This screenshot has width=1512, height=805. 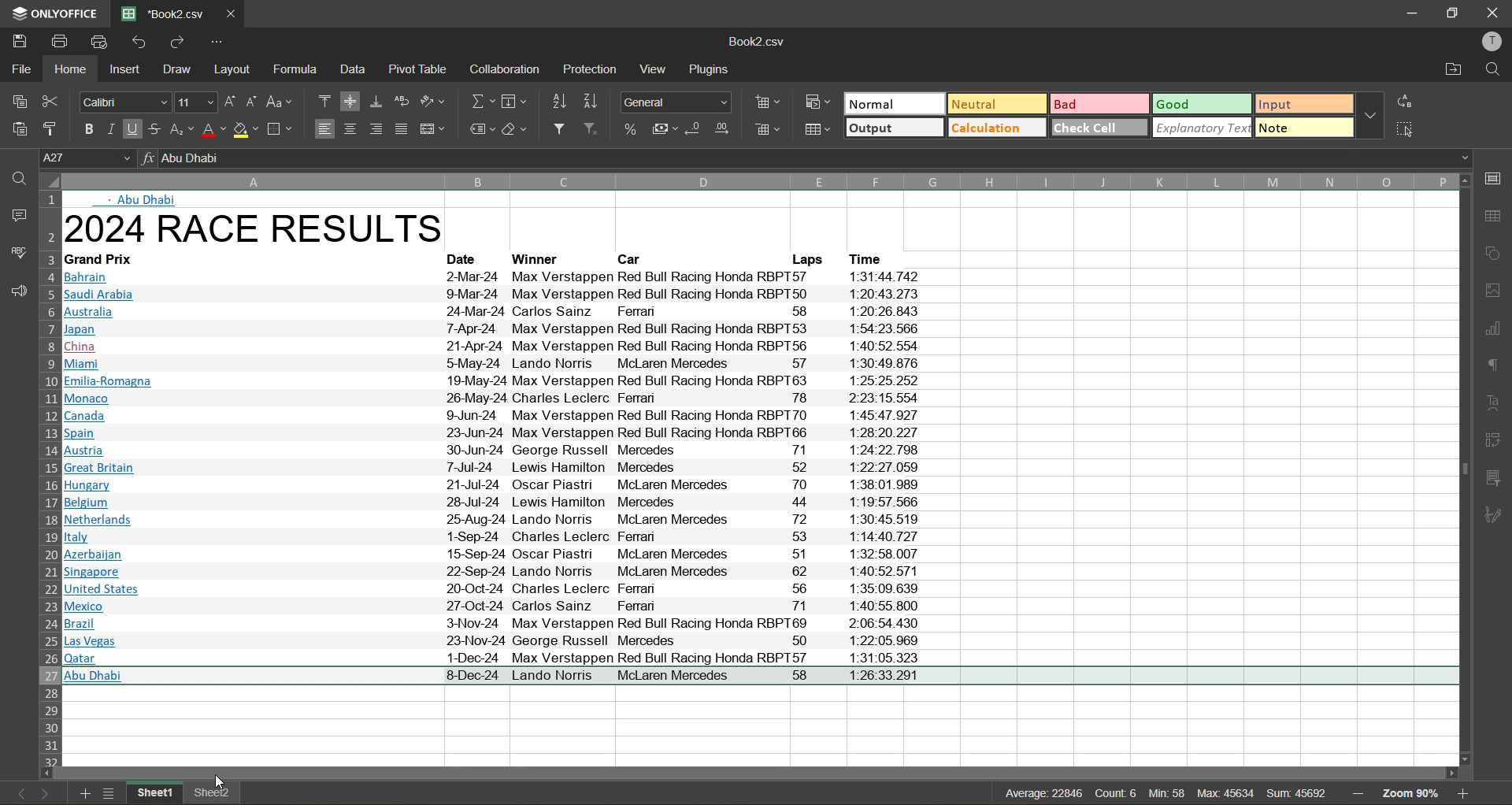 What do you see at coordinates (591, 69) in the screenshot?
I see `protection` at bounding box center [591, 69].